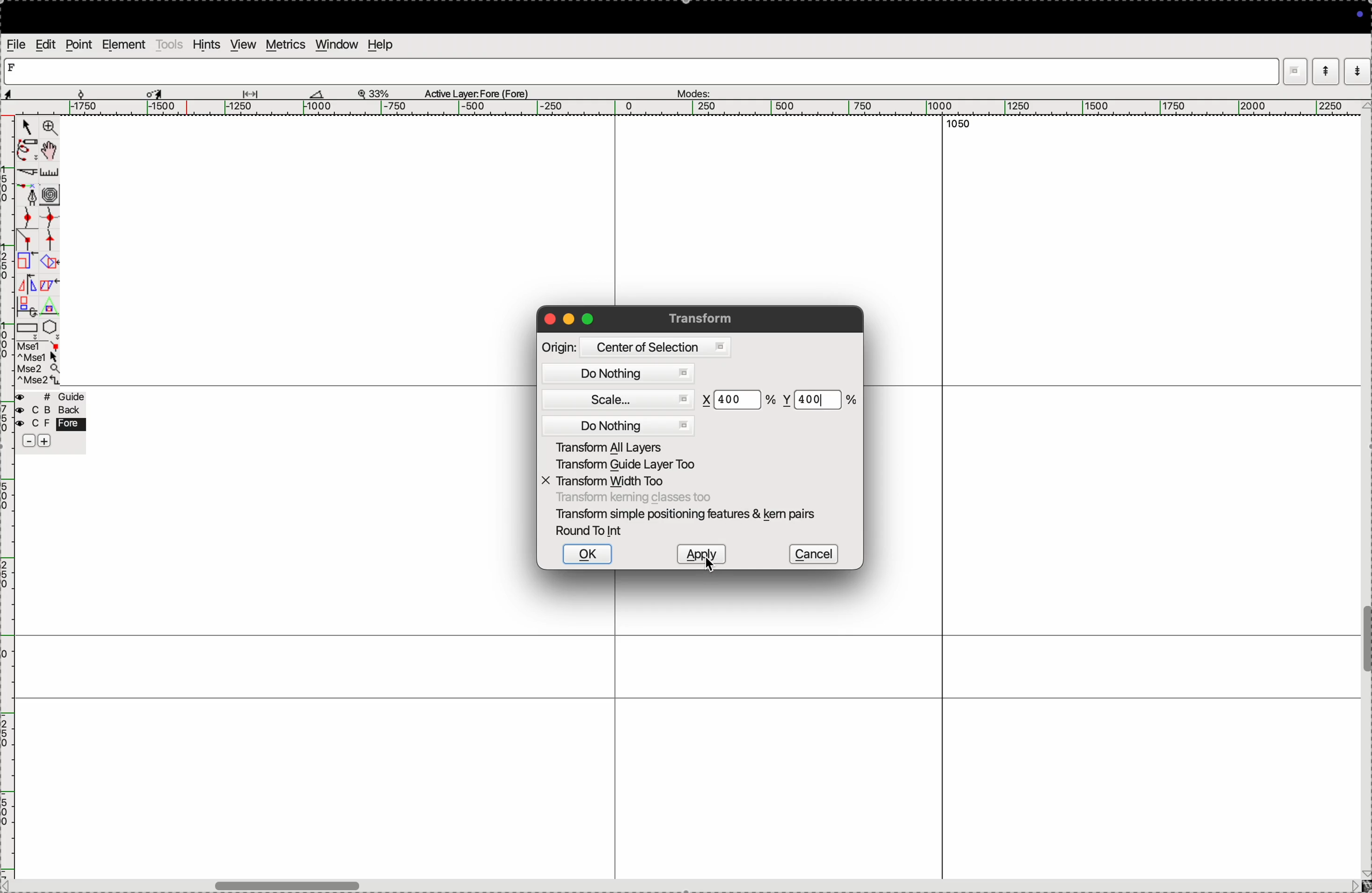 This screenshot has height=893, width=1372. What do you see at coordinates (49, 230) in the screenshot?
I see `spline` at bounding box center [49, 230].